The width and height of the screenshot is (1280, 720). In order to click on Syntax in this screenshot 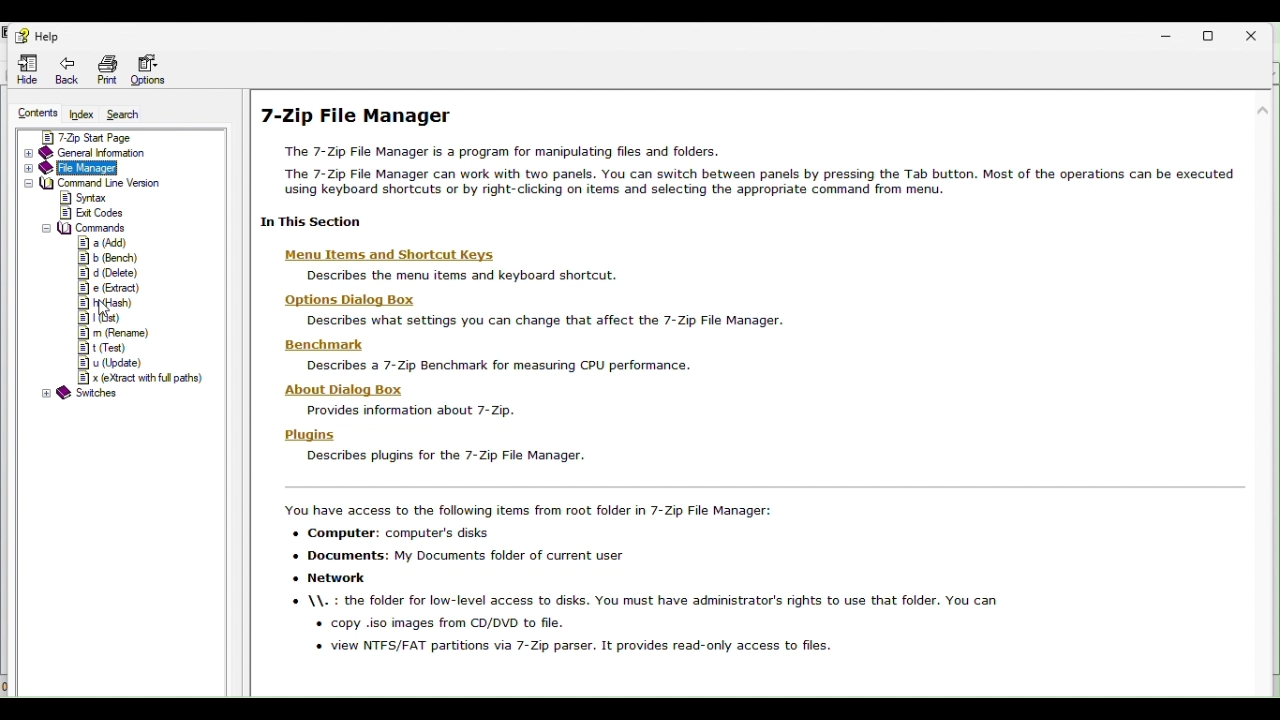, I will do `click(102, 199)`.